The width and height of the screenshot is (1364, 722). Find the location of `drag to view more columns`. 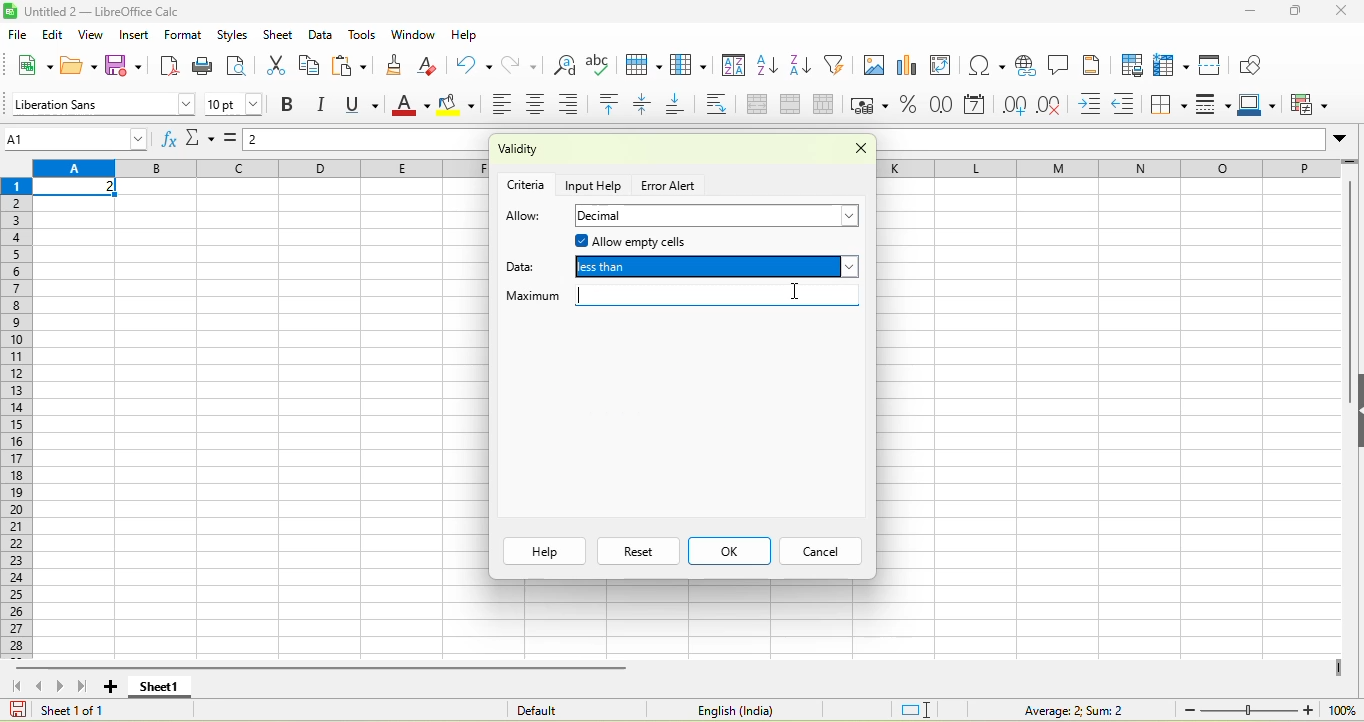

drag to view more columns is located at coordinates (1339, 668).